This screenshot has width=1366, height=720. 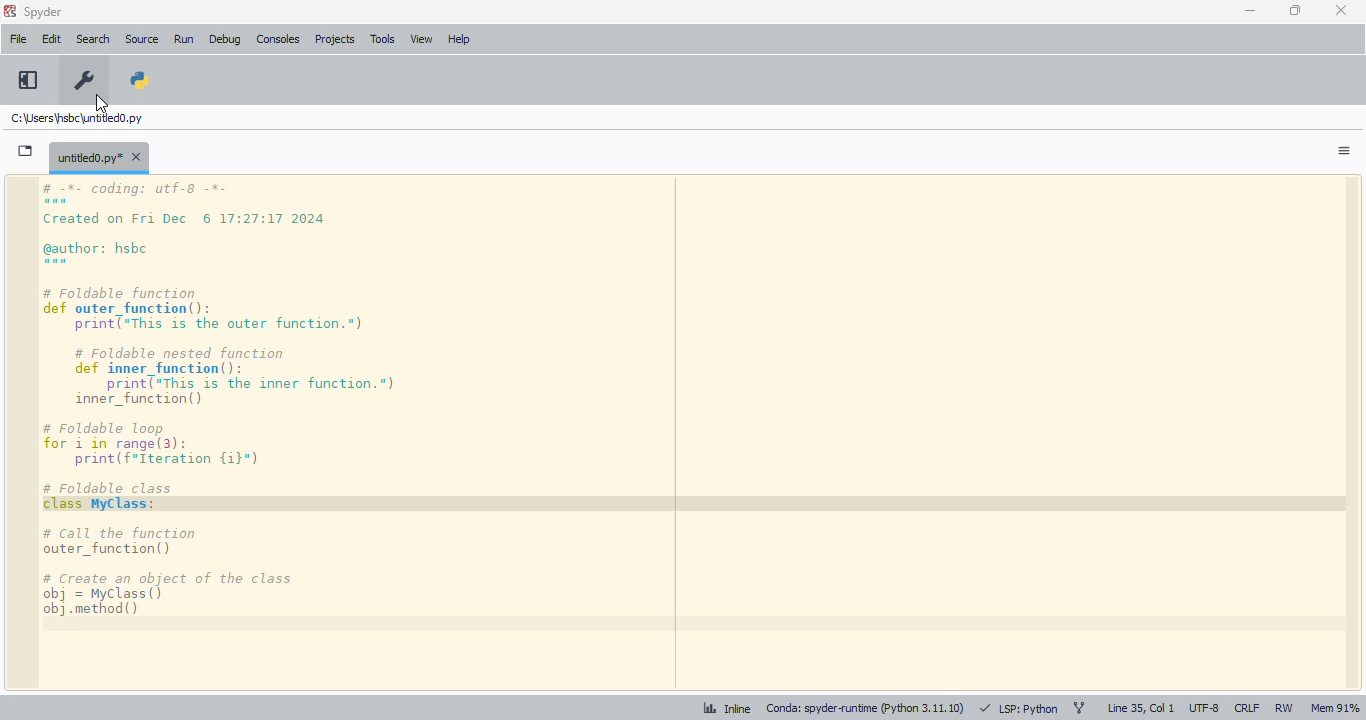 What do you see at coordinates (85, 81) in the screenshot?
I see `preferences` at bounding box center [85, 81].